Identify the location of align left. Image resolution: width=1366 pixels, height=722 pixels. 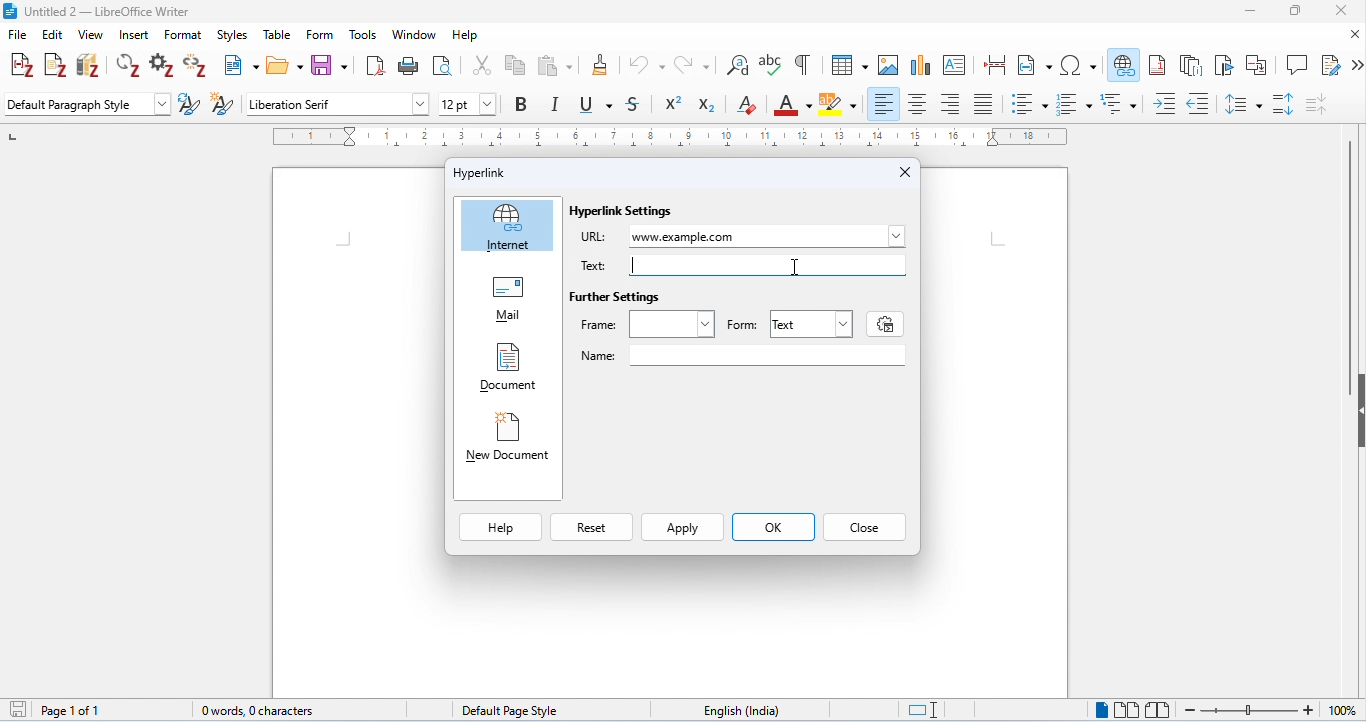
(884, 104).